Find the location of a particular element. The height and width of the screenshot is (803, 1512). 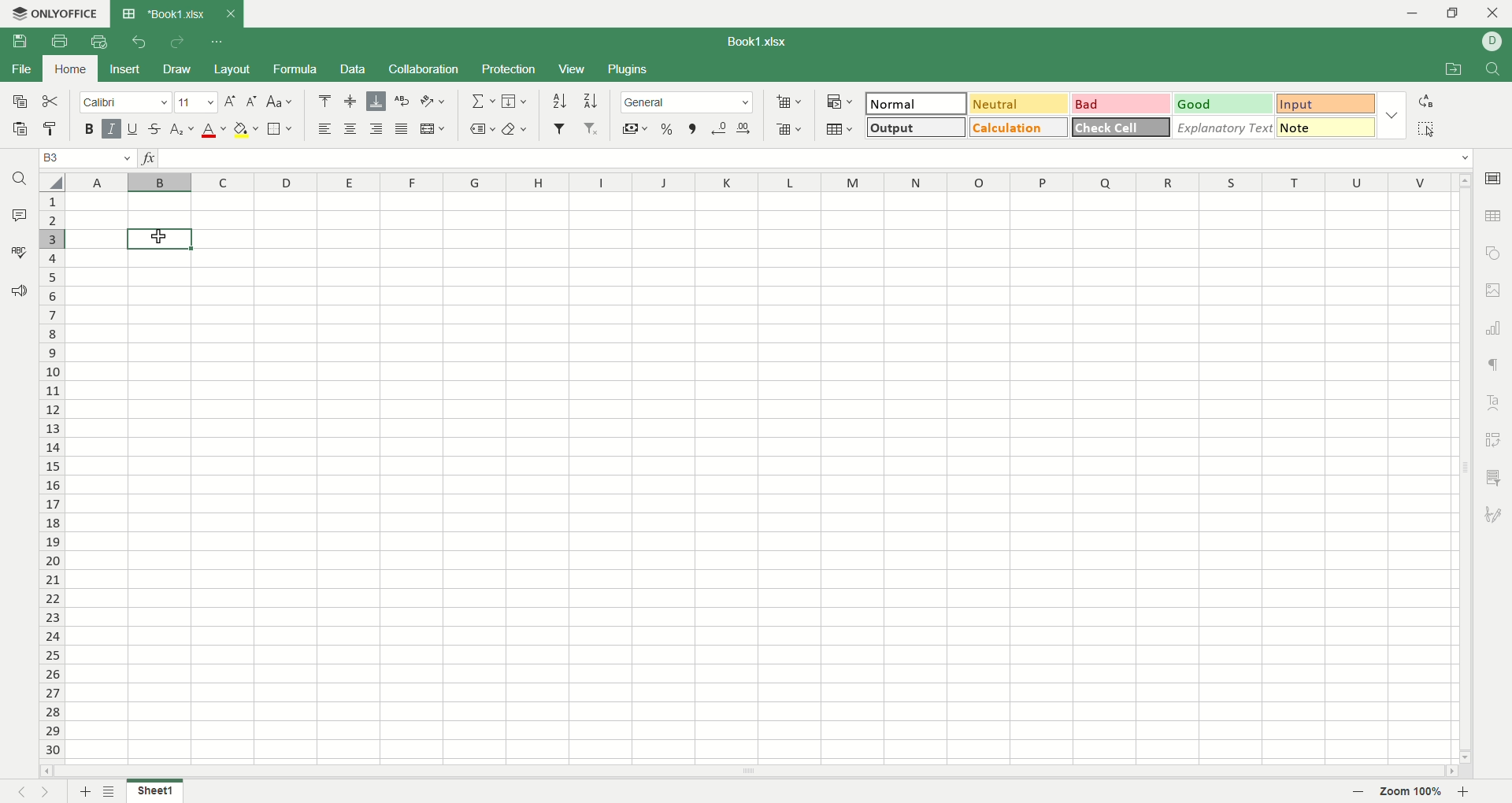

worksheet is located at coordinates (762, 480).